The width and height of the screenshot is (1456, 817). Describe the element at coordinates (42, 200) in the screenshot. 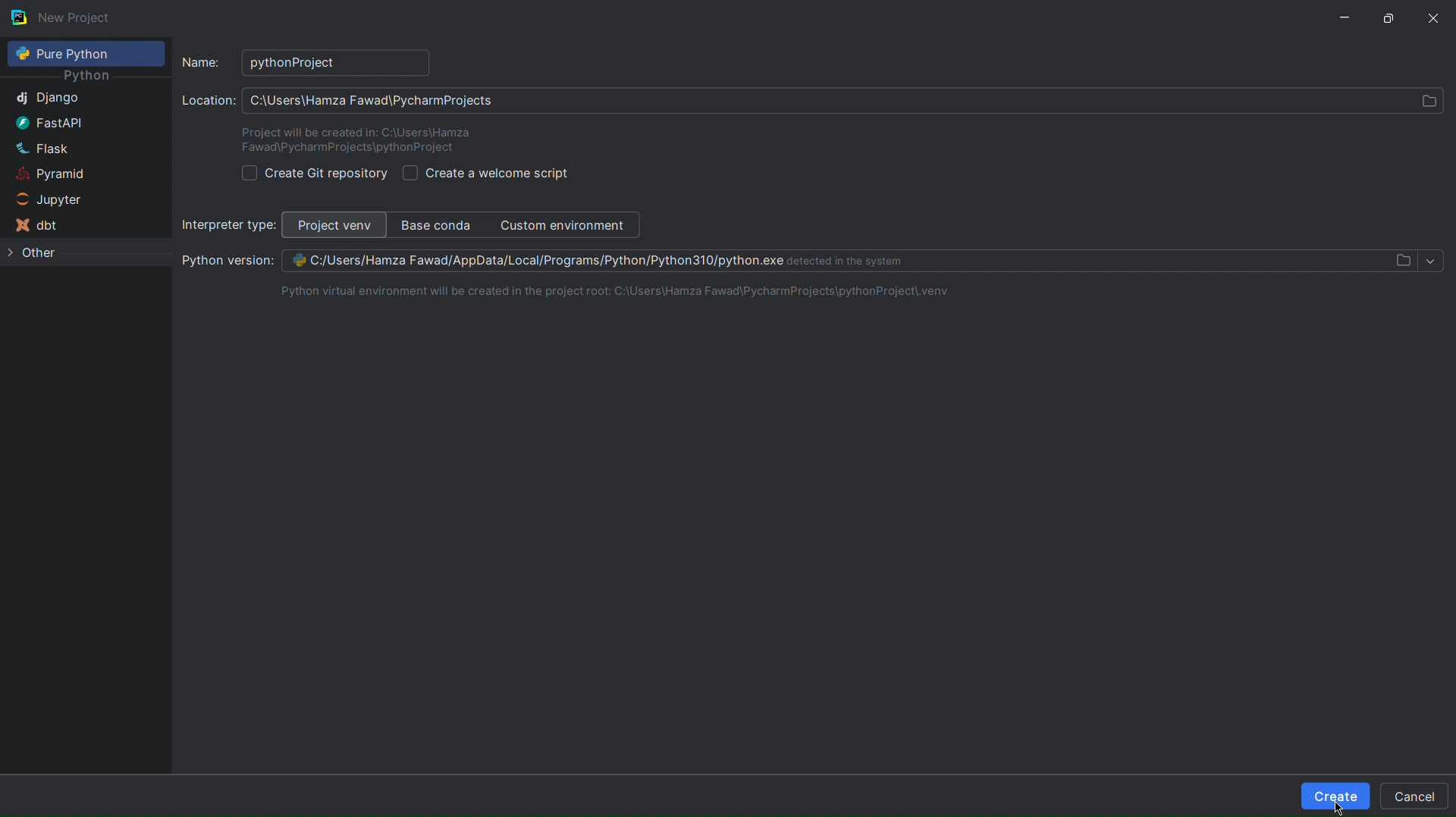

I see `Jupyter` at that location.